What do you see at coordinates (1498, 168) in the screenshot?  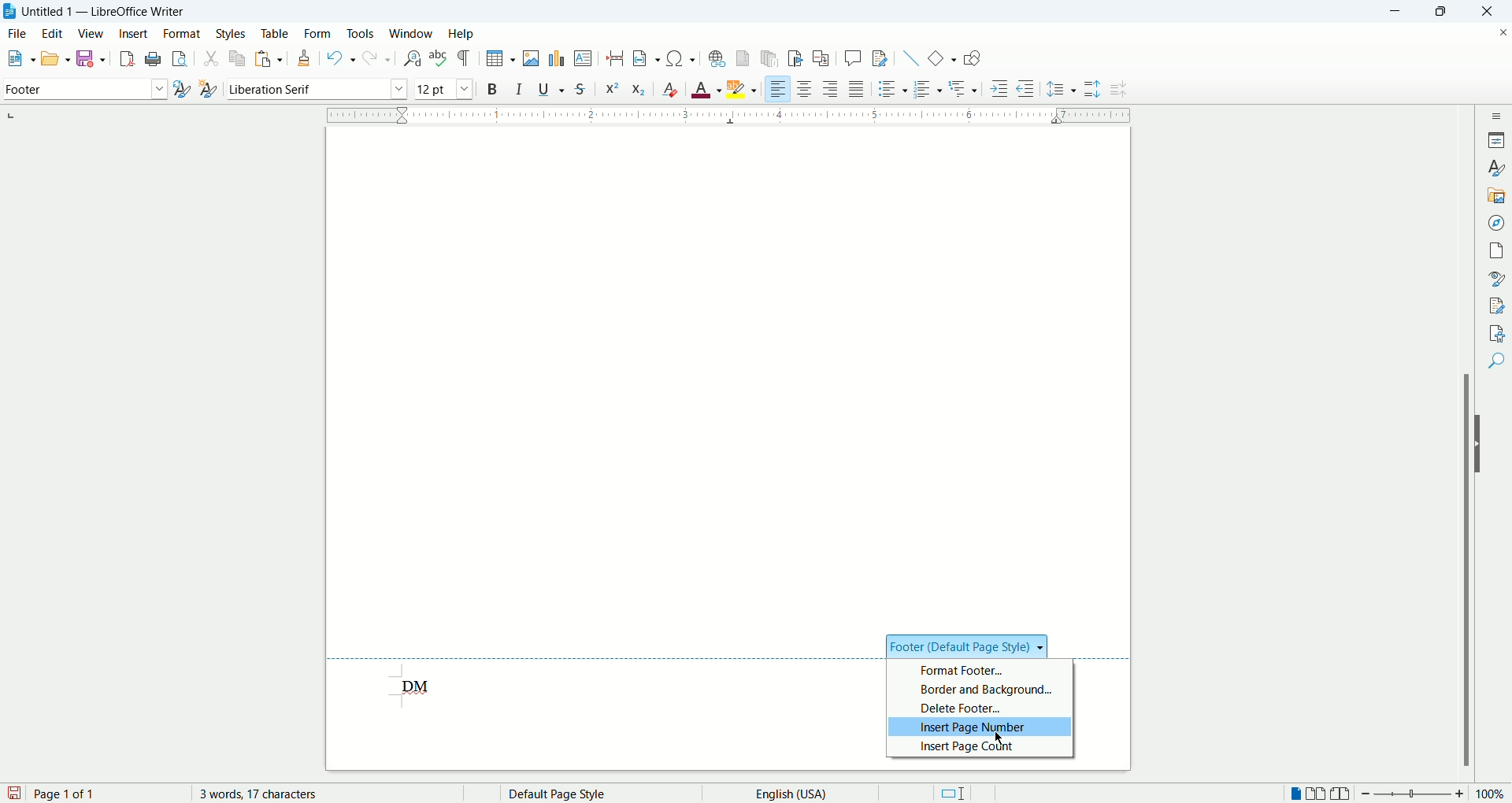 I see `styles` at bounding box center [1498, 168].